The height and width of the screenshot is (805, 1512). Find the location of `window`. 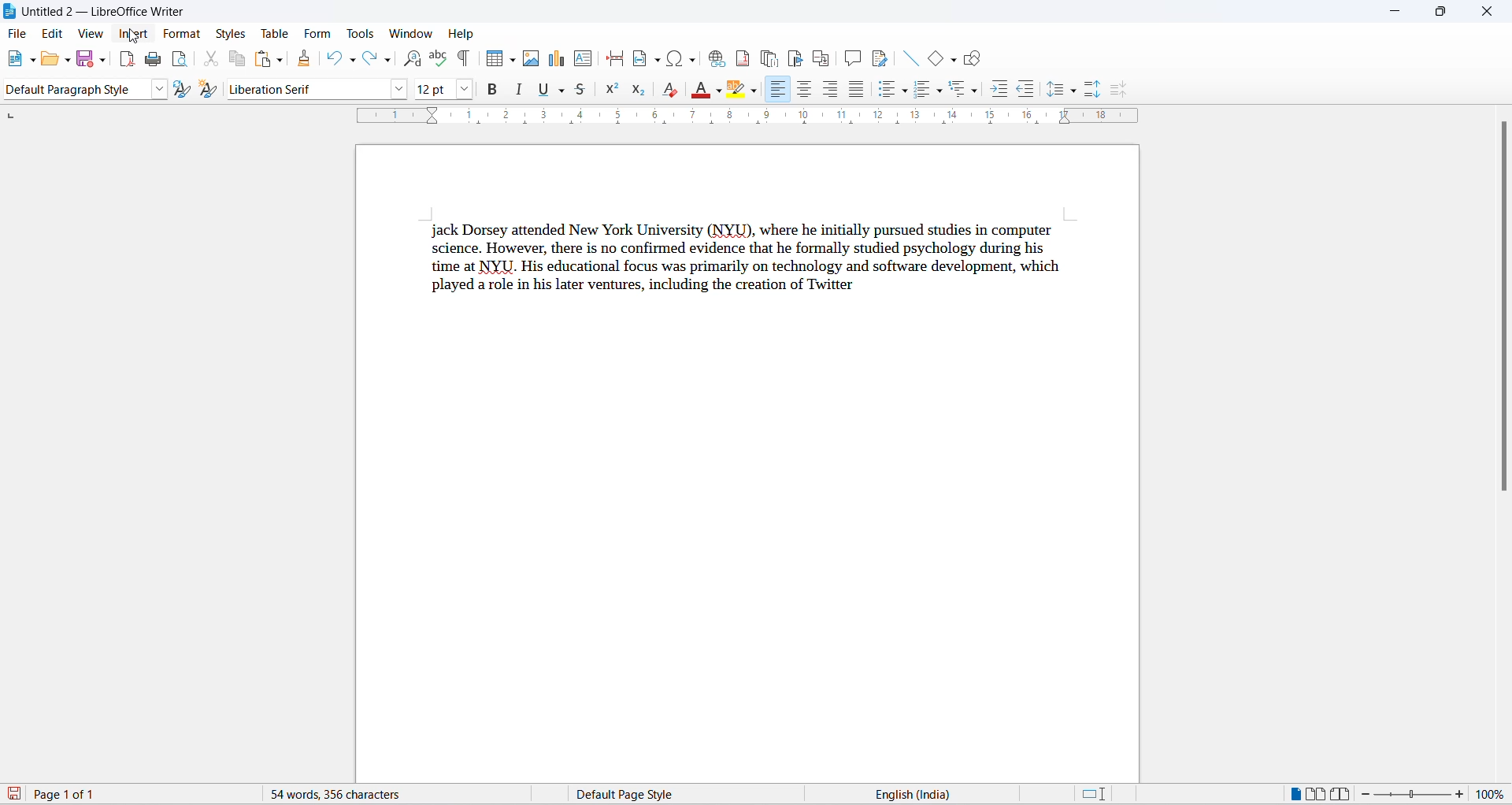

window is located at coordinates (409, 33).